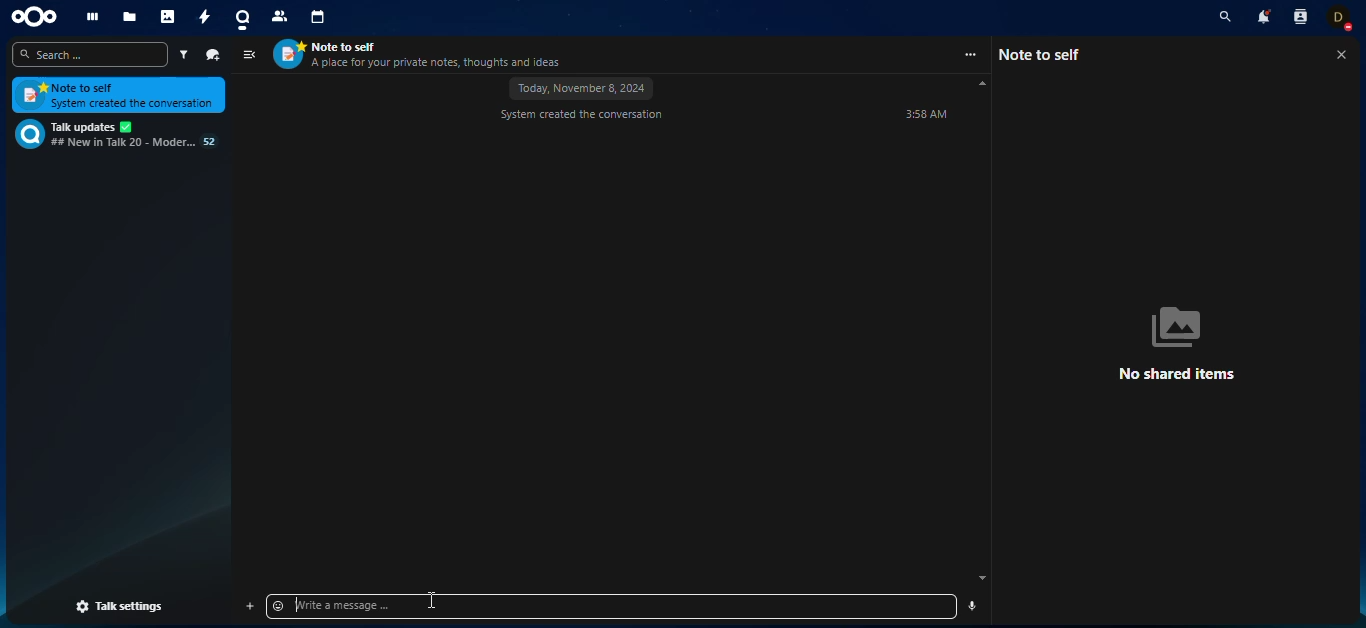  Describe the element at coordinates (1261, 19) in the screenshot. I see `notifications` at that location.